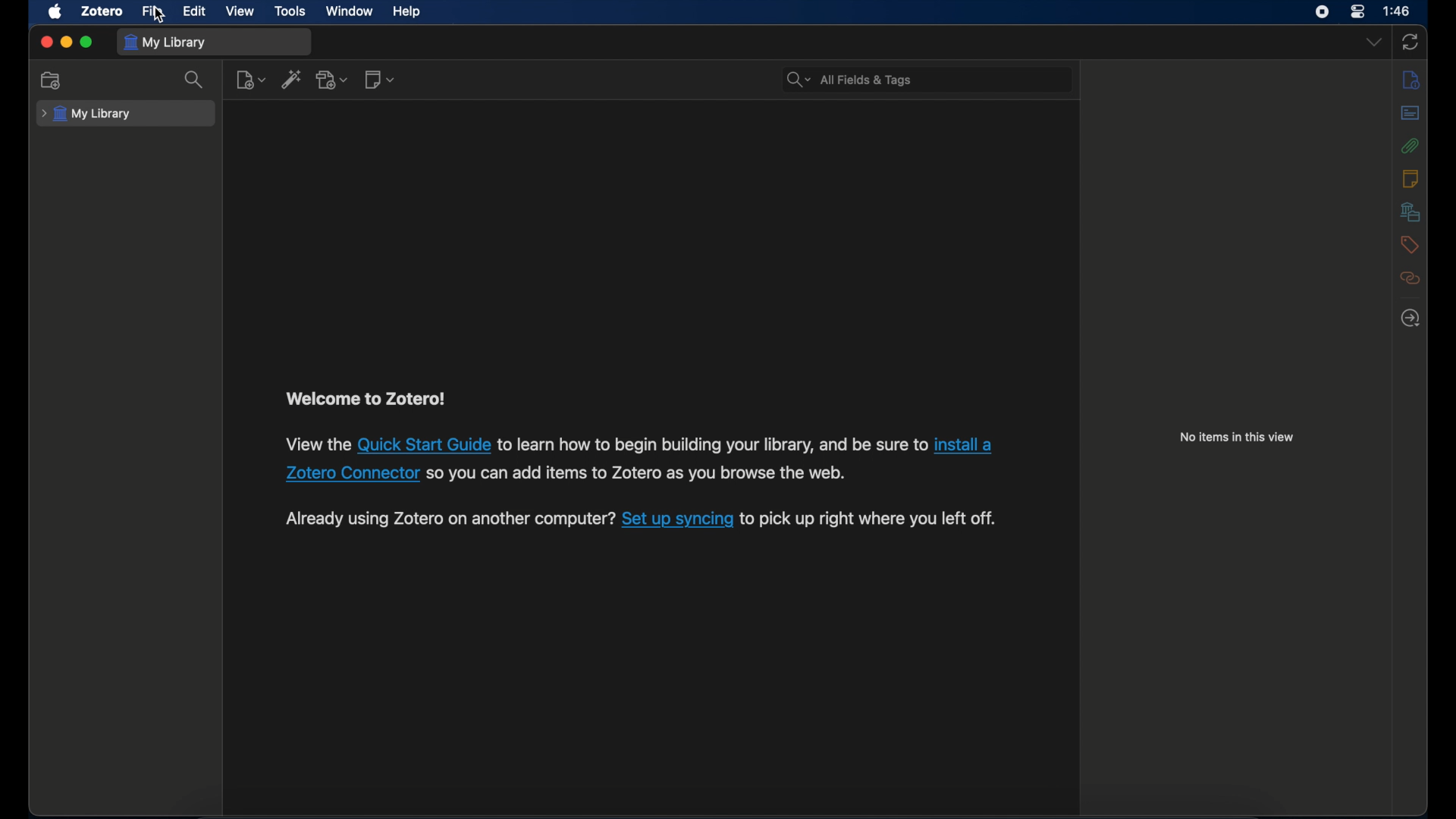 Image resolution: width=1456 pixels, height=819 pixels. What do you see at coordinates (87, 42) in the screenshot?
I see `maximize` at bounding box center [87, 42].